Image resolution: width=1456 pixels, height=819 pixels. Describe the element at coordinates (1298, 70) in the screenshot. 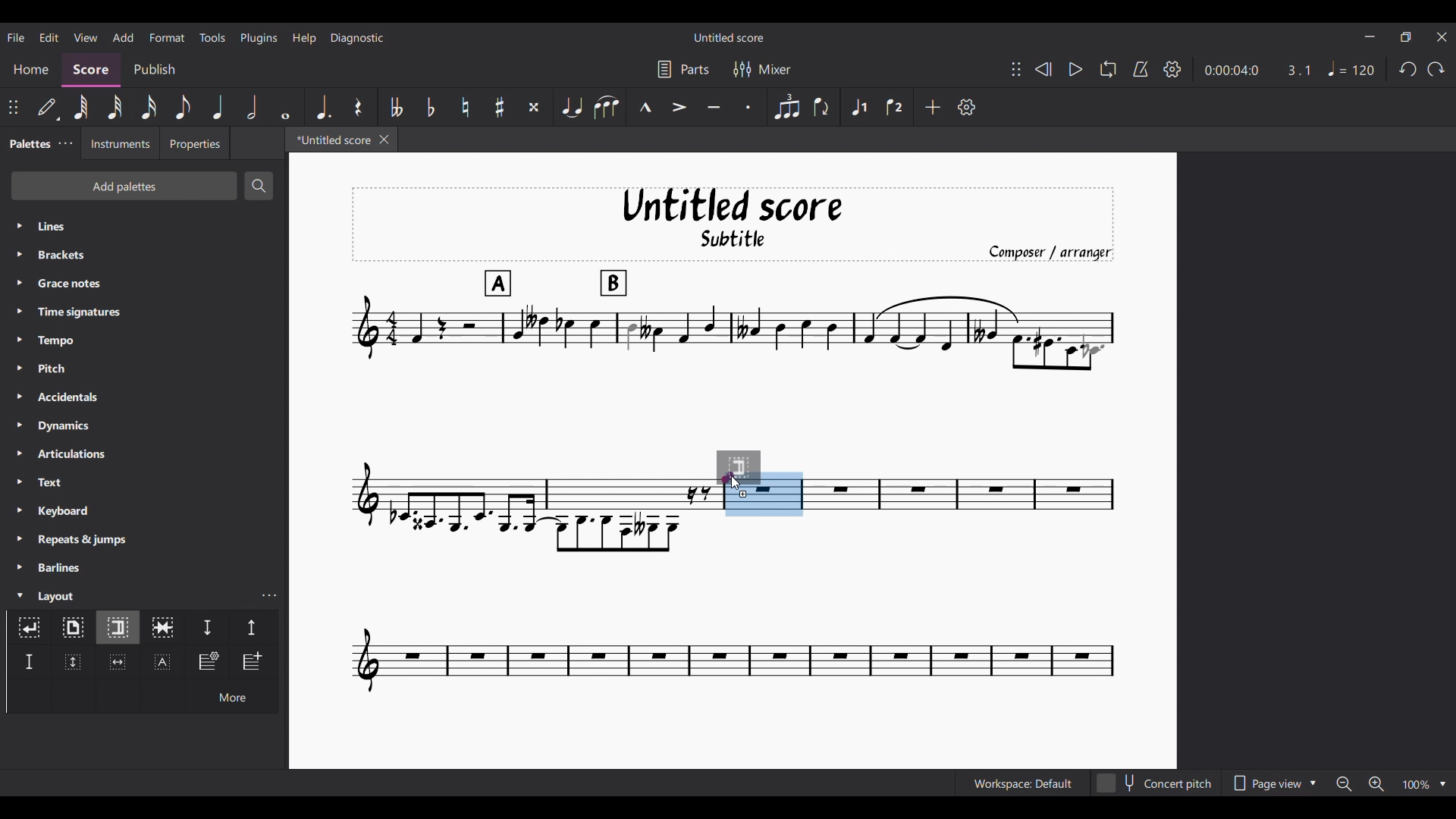

I see `3.1` at that location.